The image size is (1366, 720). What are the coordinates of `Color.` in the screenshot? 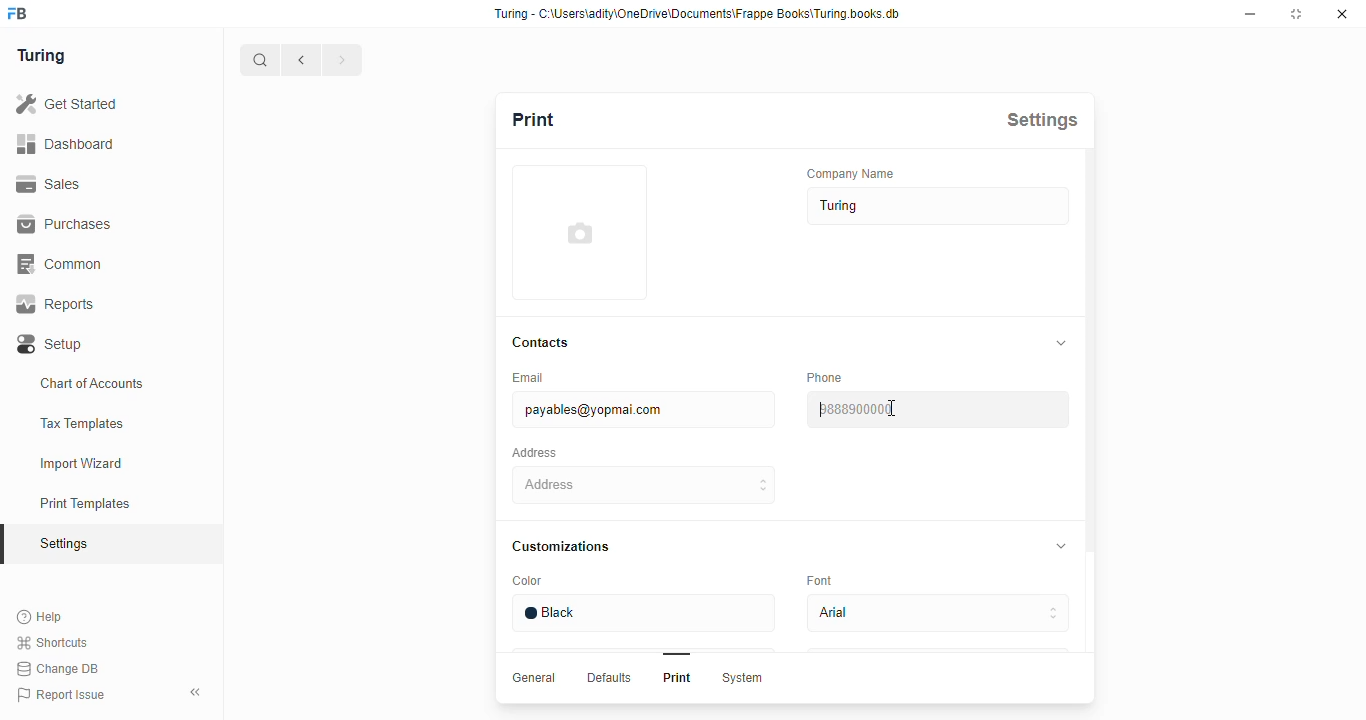 It's located at (529, 582).